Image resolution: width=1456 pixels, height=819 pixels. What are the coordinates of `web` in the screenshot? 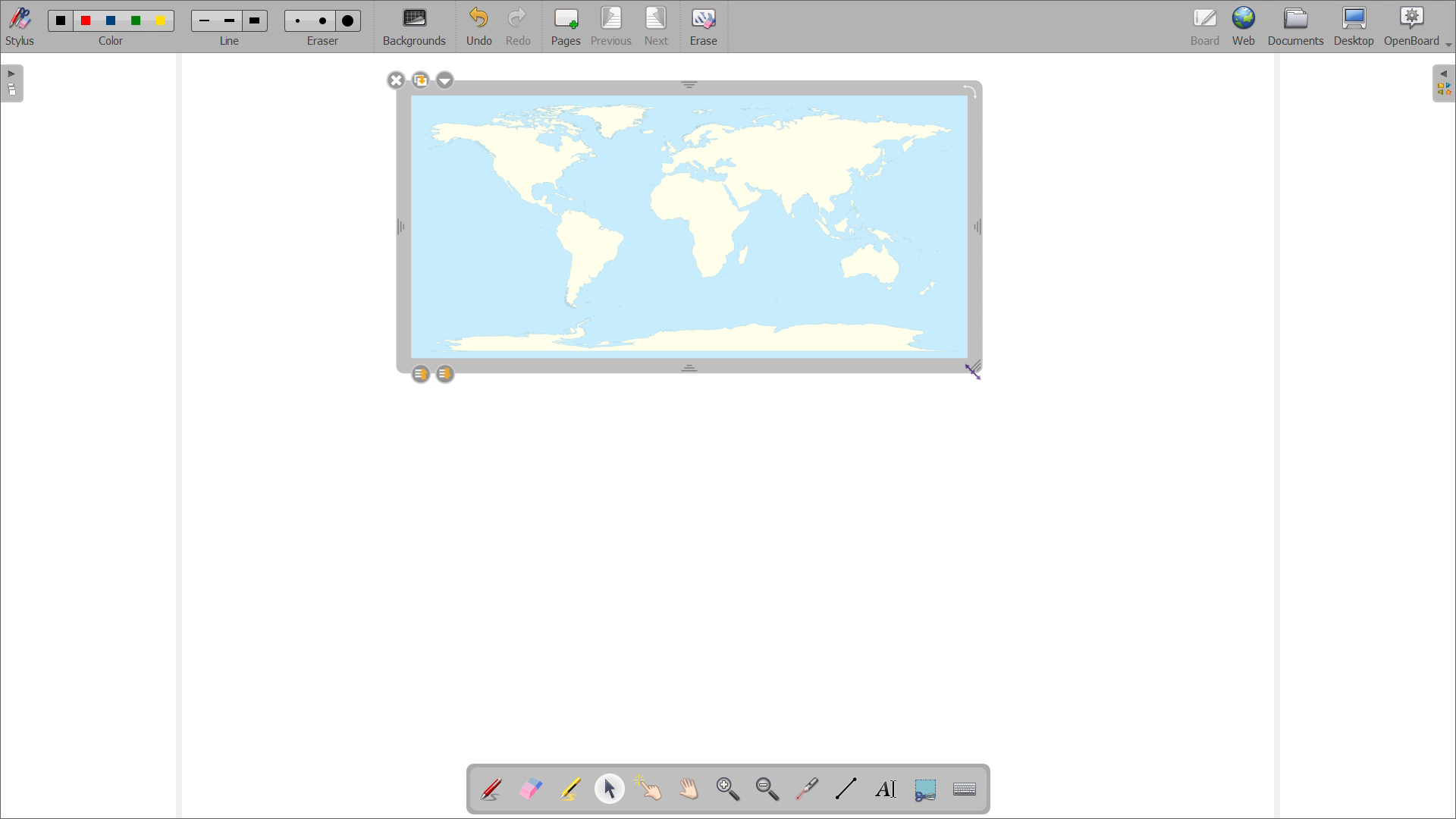 It's located at (1246, 27).